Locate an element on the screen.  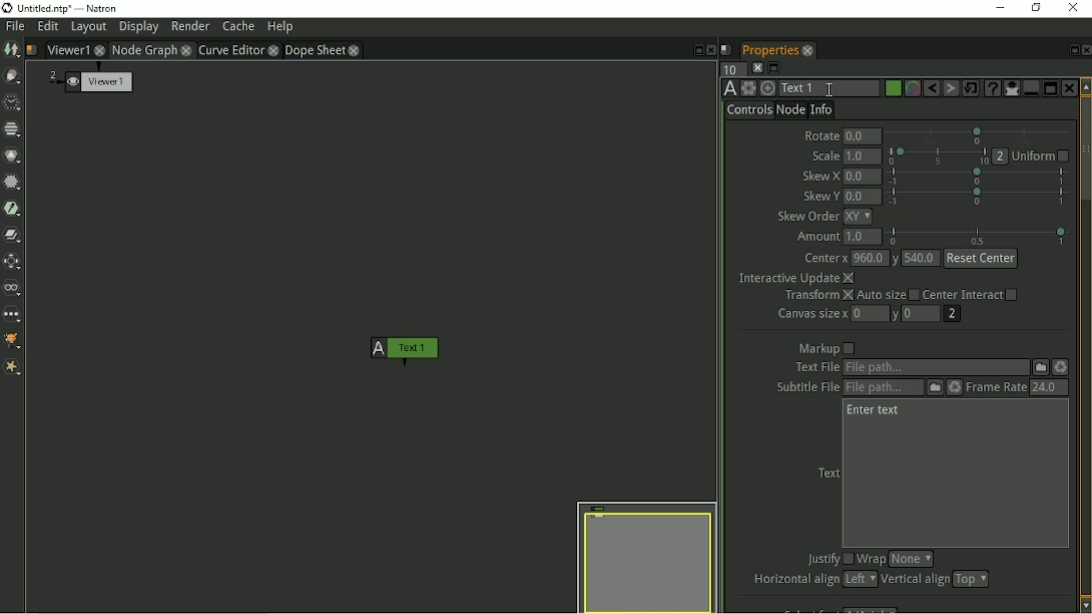
24 is located at coordinates (1049, 388).